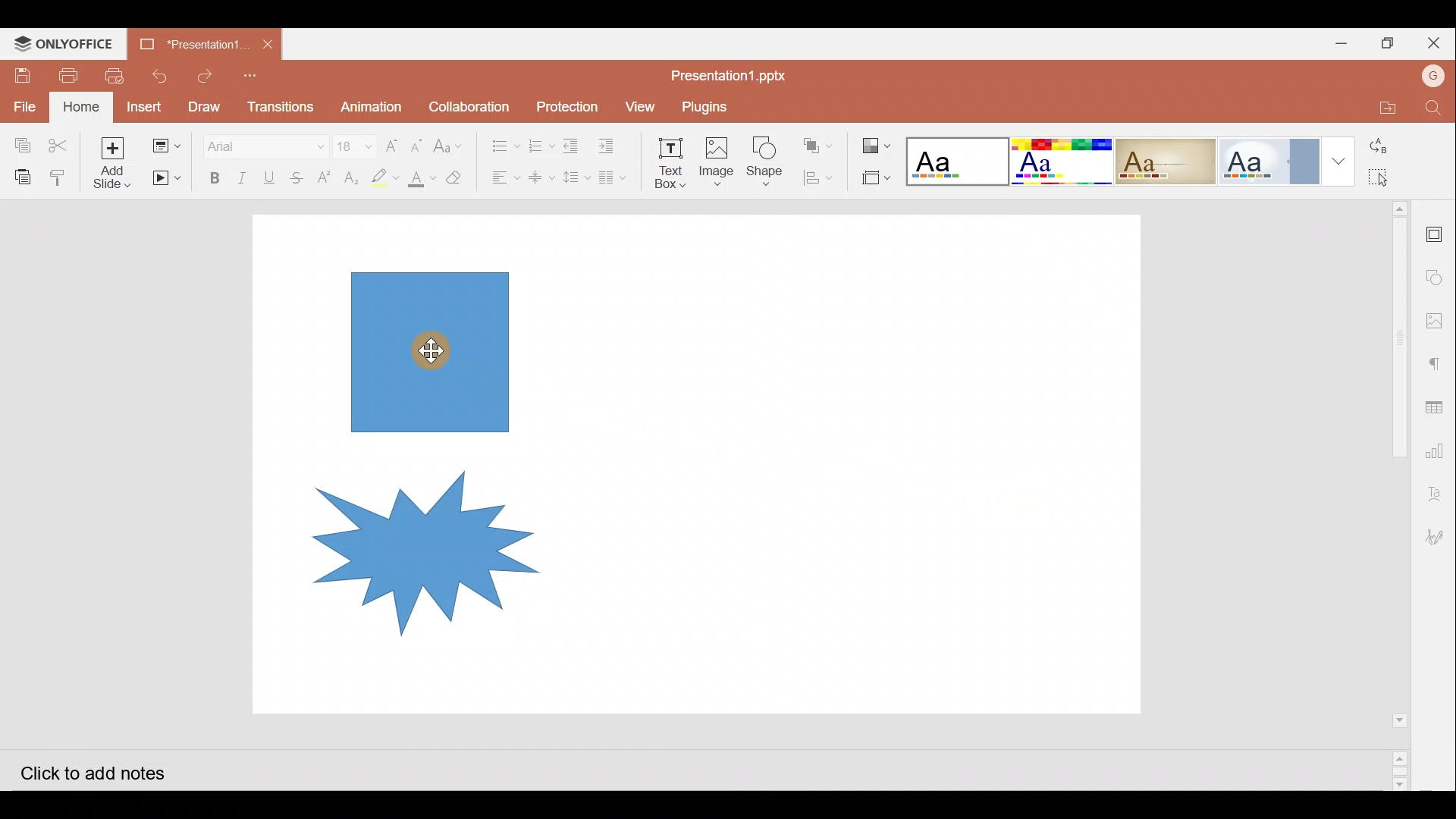  Describe the element at coordinates (1437, 274) in the screenshot. I see `Shapes settings` at that location.